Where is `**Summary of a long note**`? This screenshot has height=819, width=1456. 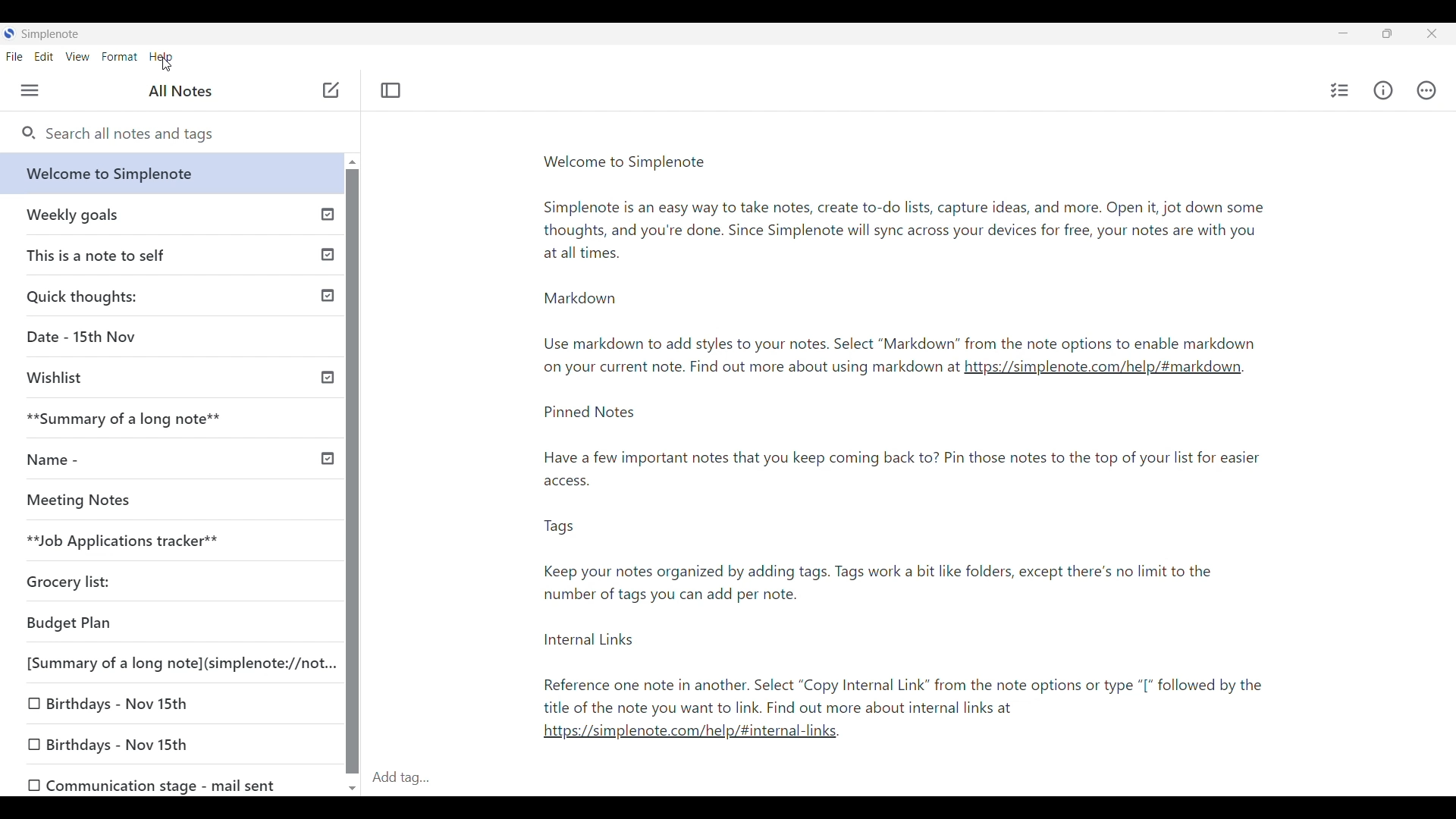
**Summary of a long note** is located at coordinates (140, 419).